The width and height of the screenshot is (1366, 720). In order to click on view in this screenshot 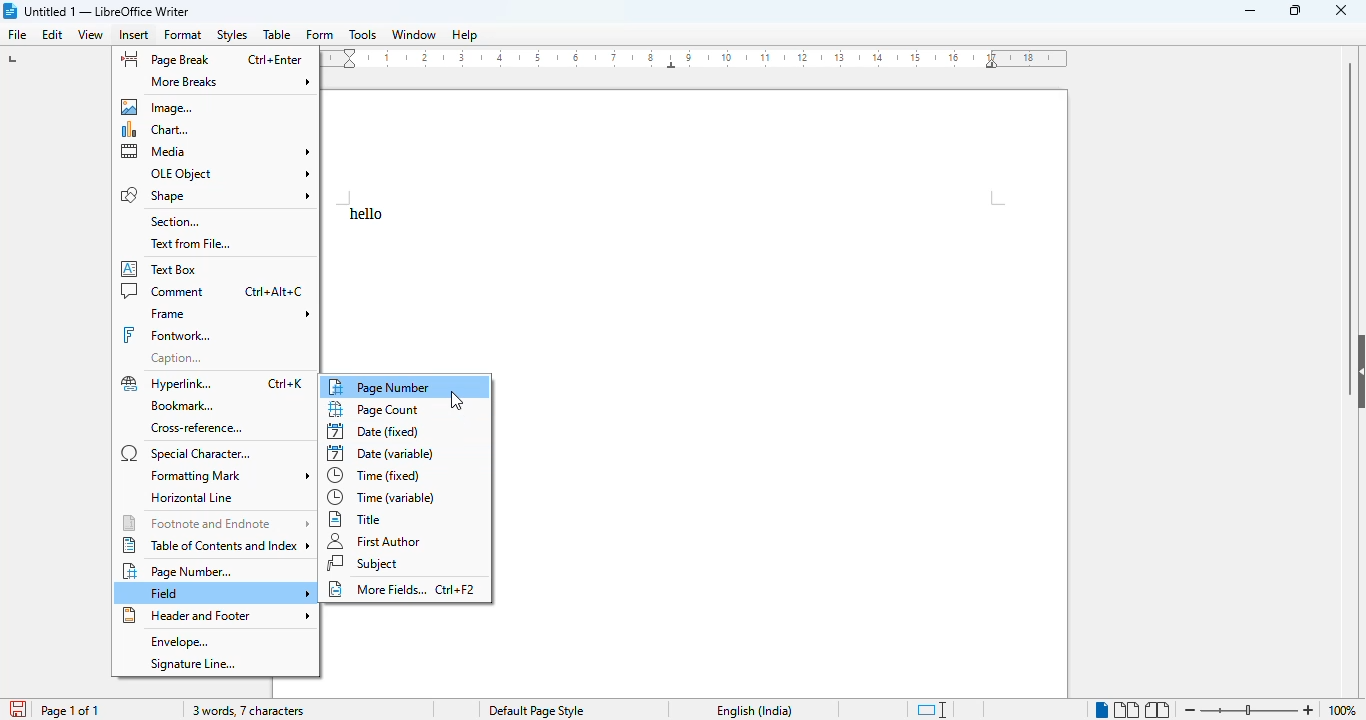, I will do `click(90, 35)`.